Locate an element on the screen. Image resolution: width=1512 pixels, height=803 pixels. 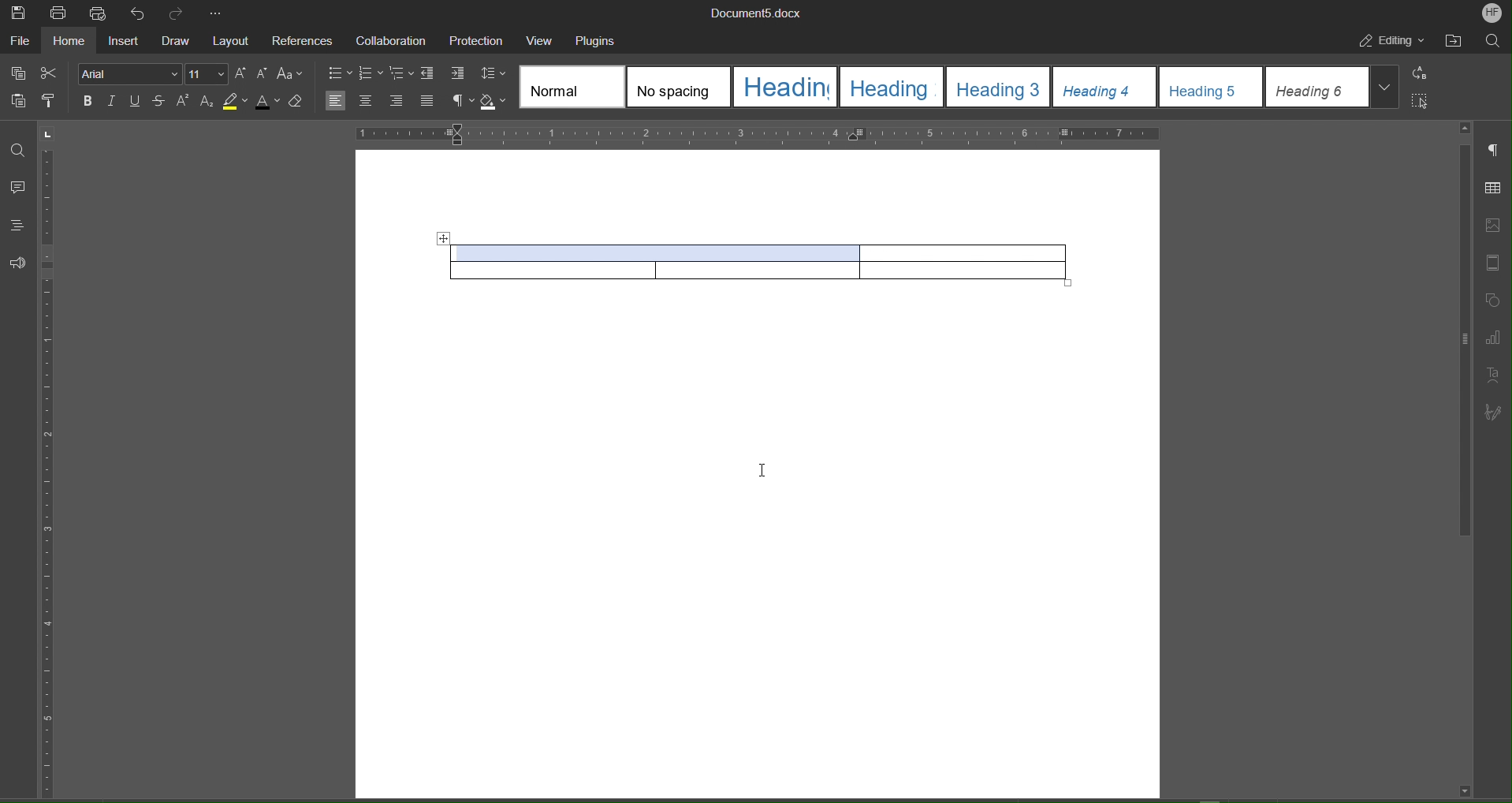
Print is located at coordinates (58, 13).